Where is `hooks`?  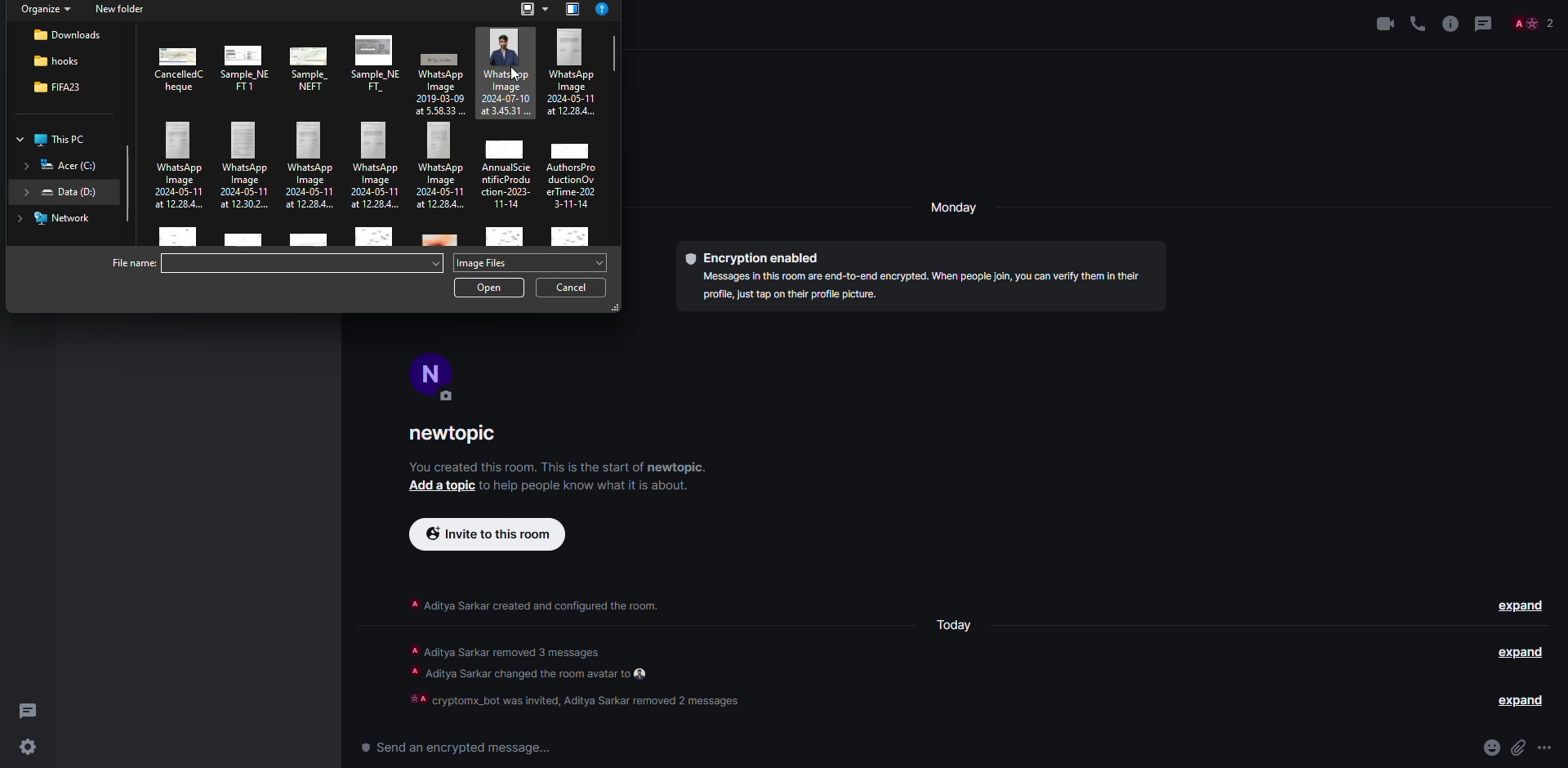
hooks is located at coordinates (56, 60).